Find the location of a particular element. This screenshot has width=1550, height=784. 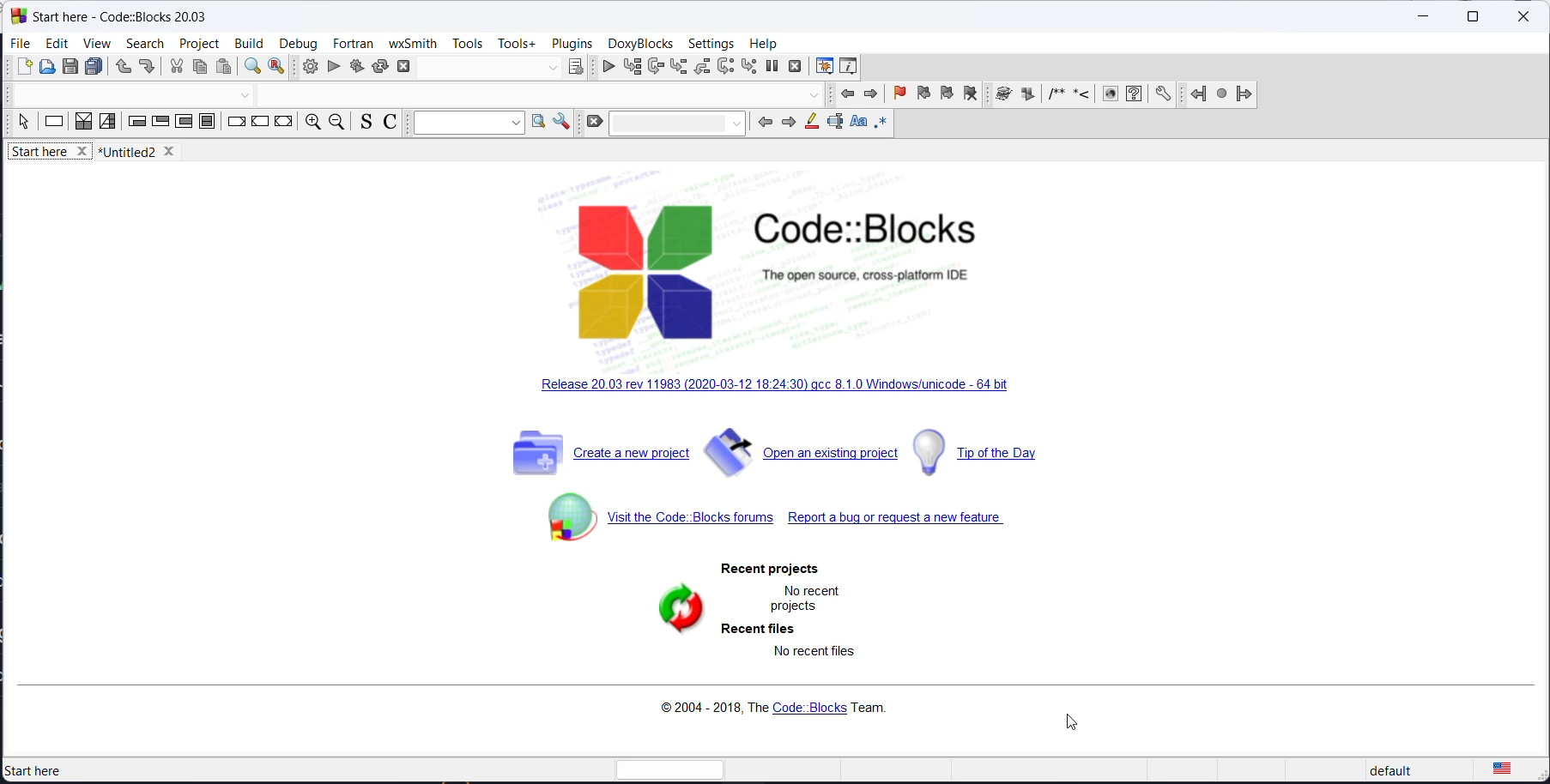

run is located at coordinates (334, 67).